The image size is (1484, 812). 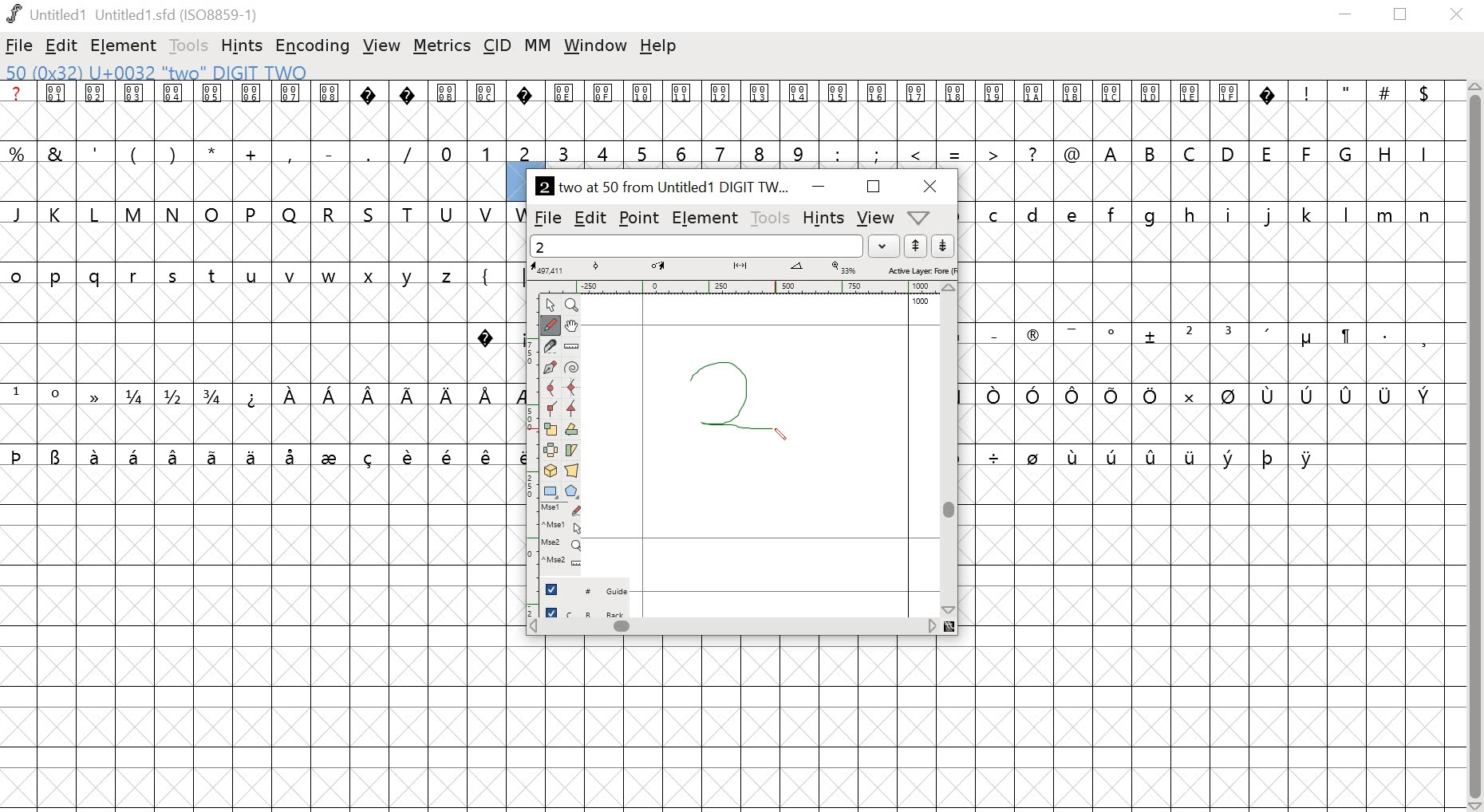 What do you see at coordinates (571, 429) in the screenshot?
I see `rotate` at bounding box center [571, 429].